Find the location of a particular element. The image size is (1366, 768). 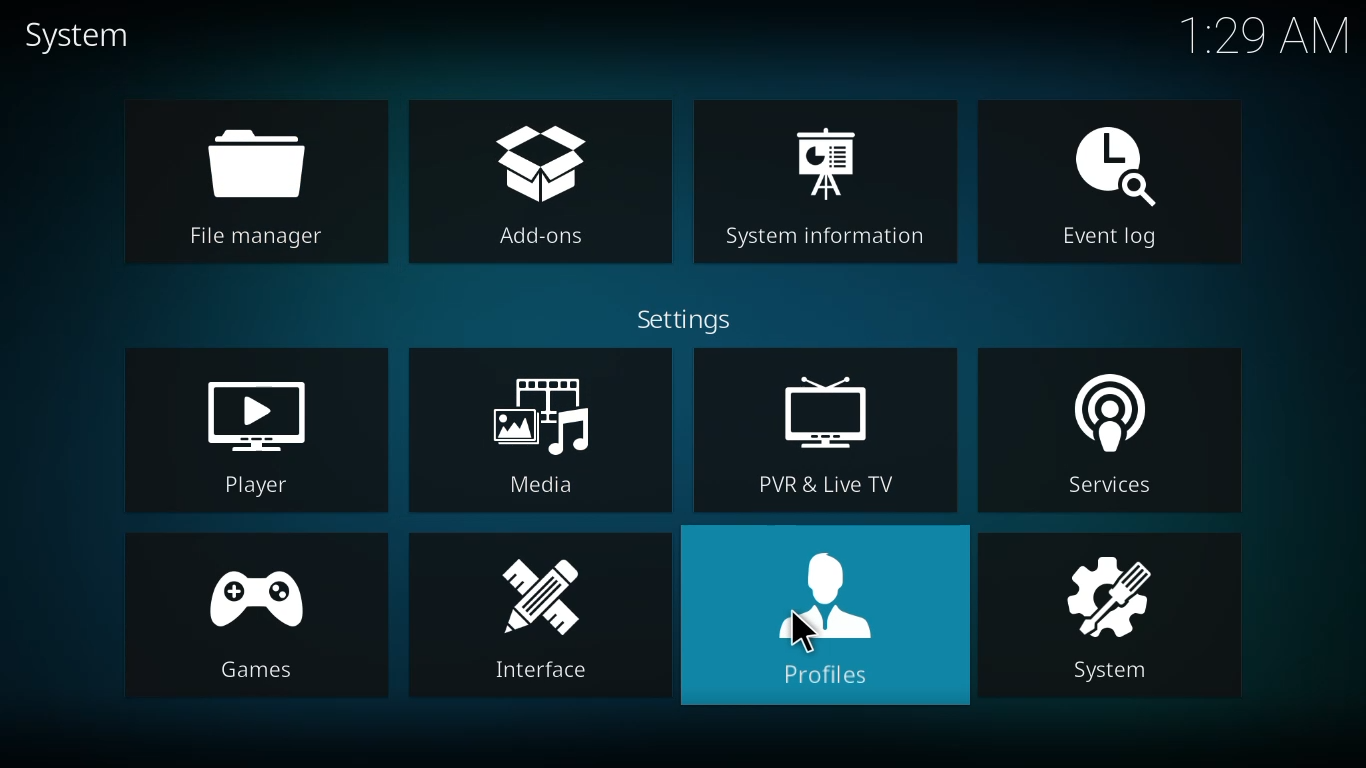

file manager is located at coordinates (259, 179).